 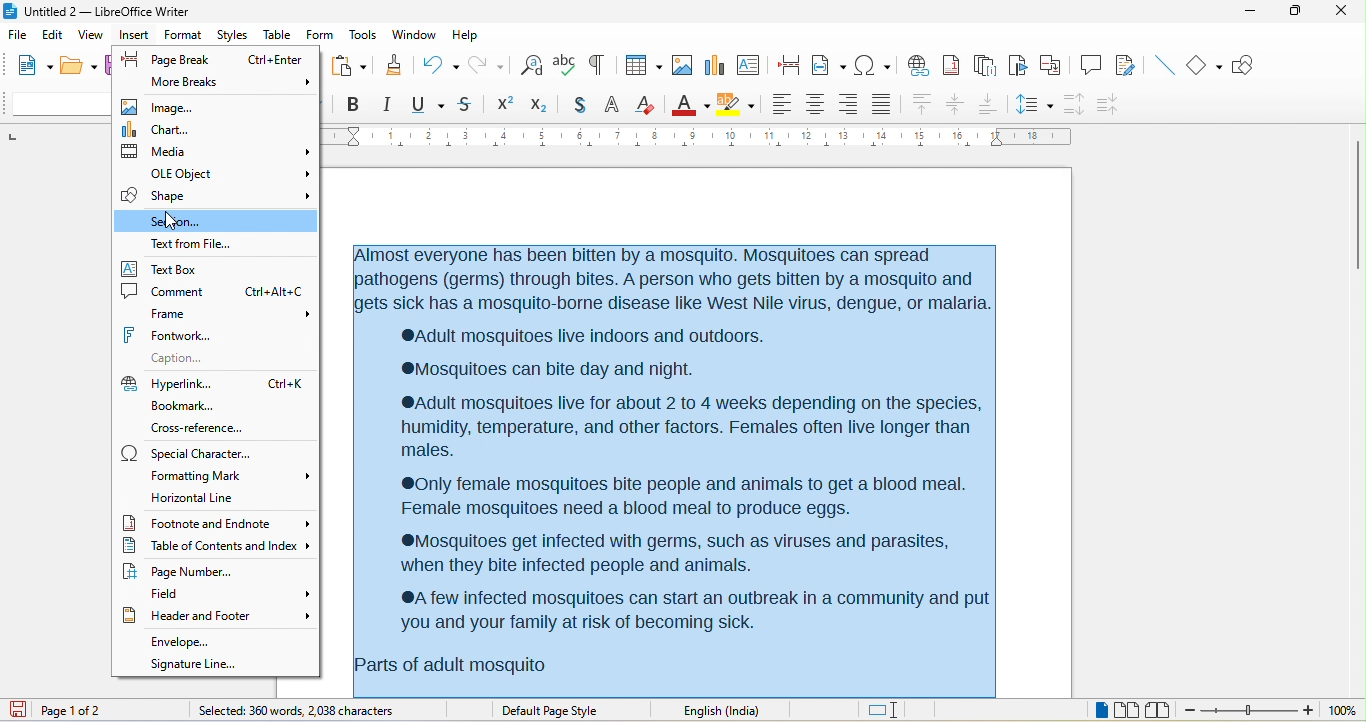 What do you see at coordinates (1246, 13) in the screenshot?
I see `minimize` at bounding box center [1246, 13].